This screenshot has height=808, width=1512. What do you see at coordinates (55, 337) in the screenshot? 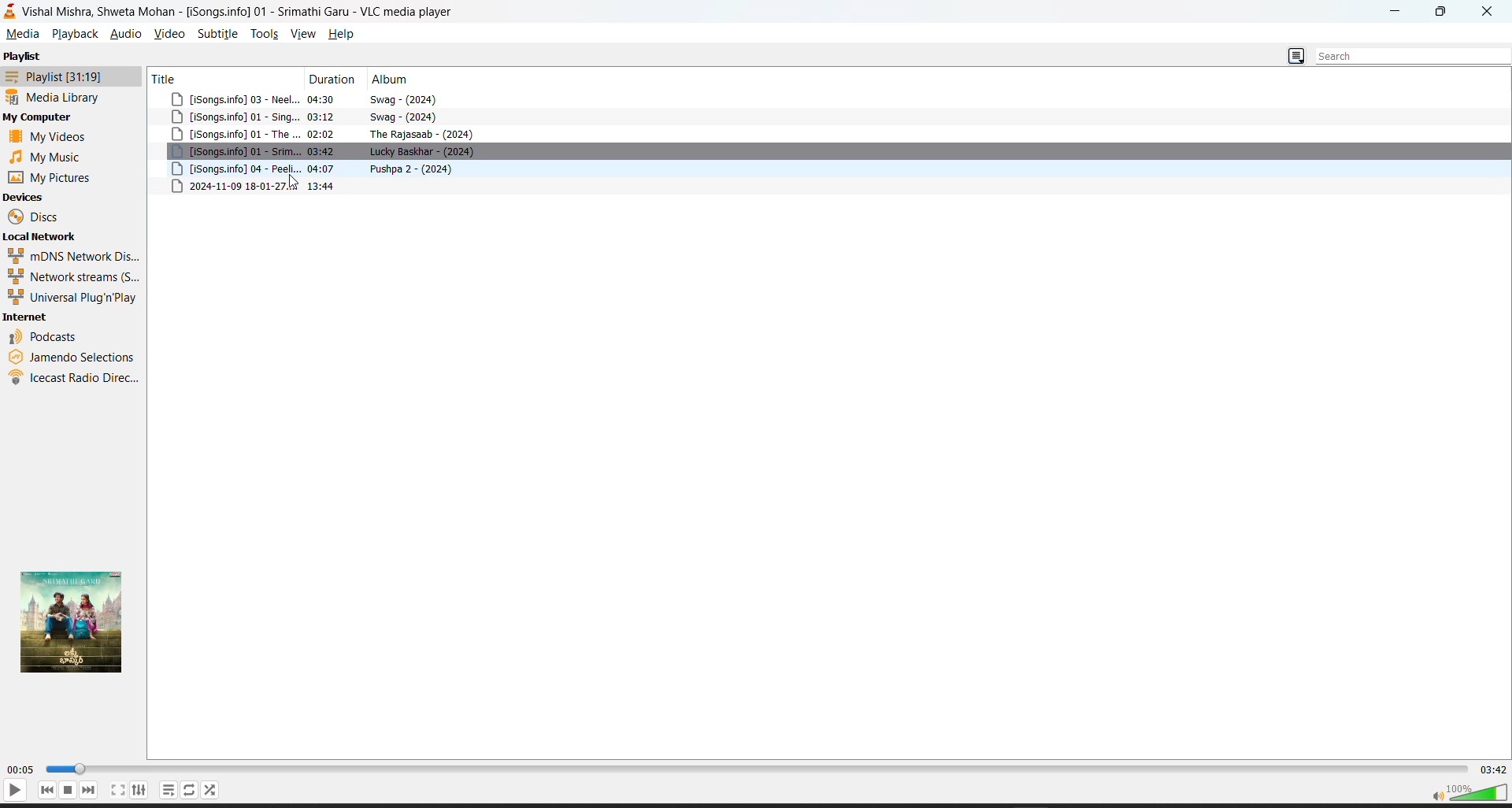
I see `podcasts` at bounding box center [55, 337].